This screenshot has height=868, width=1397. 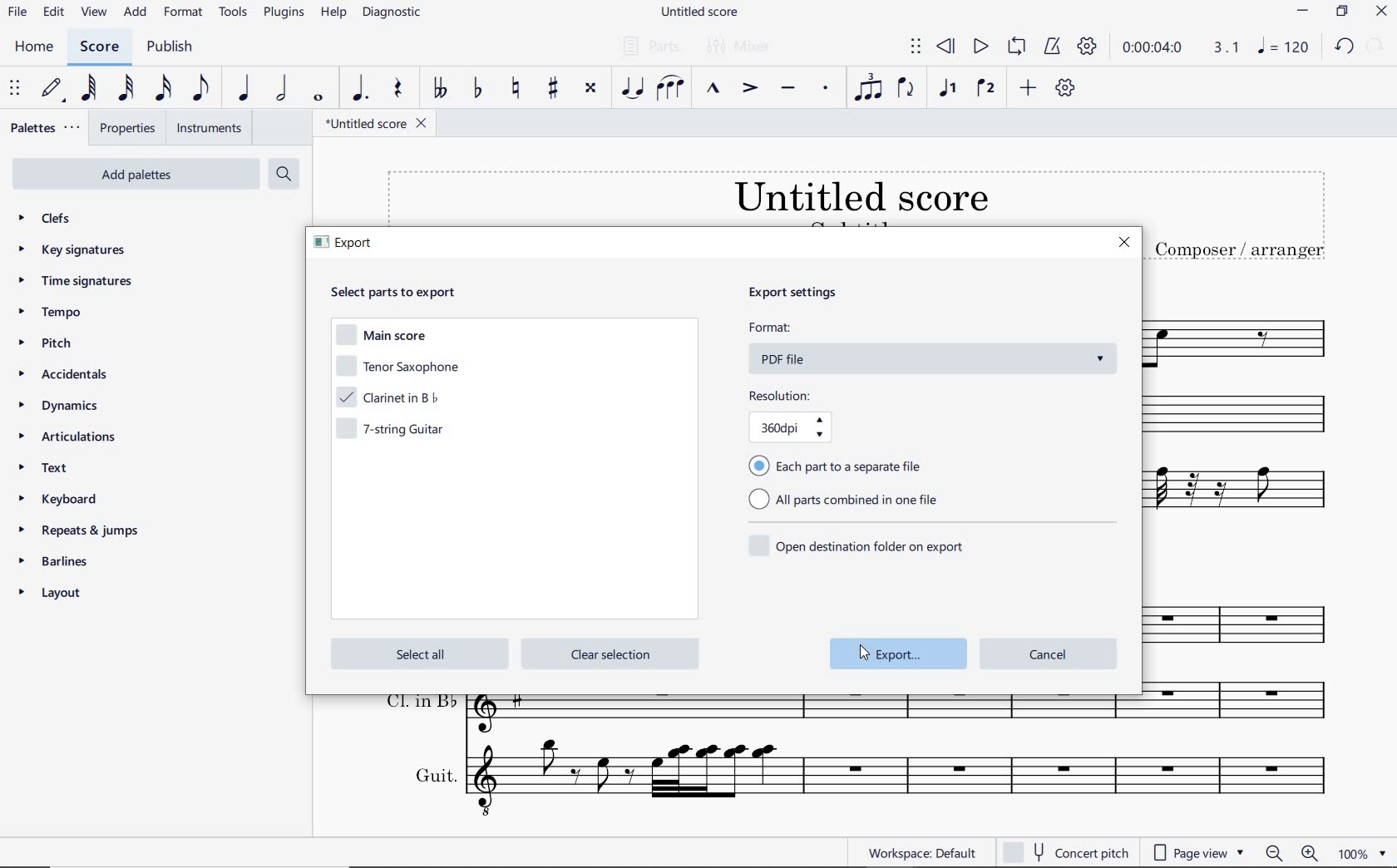 What do you see at coordinates (417, 653) in the screenshot?
I see `select all` at bounding box center [417, 653].